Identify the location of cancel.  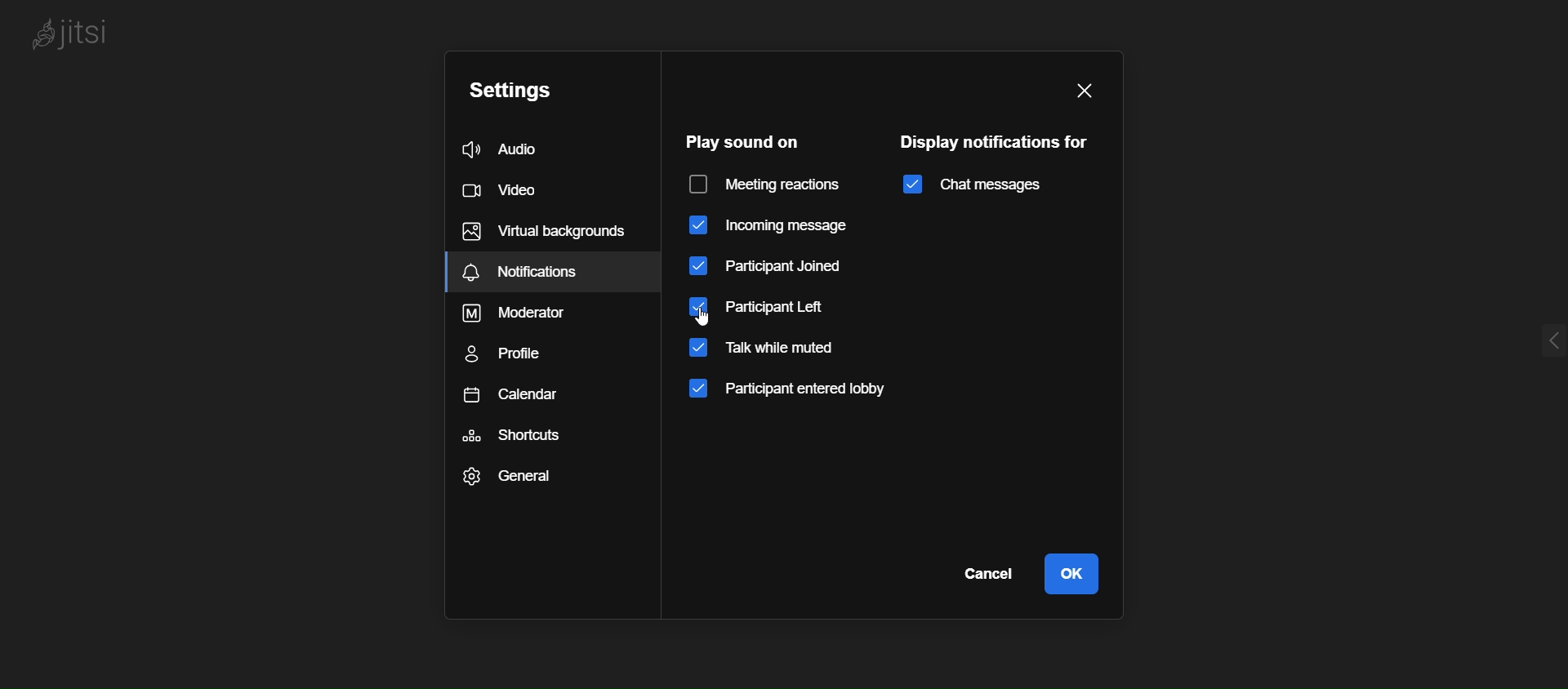
(992, 576).